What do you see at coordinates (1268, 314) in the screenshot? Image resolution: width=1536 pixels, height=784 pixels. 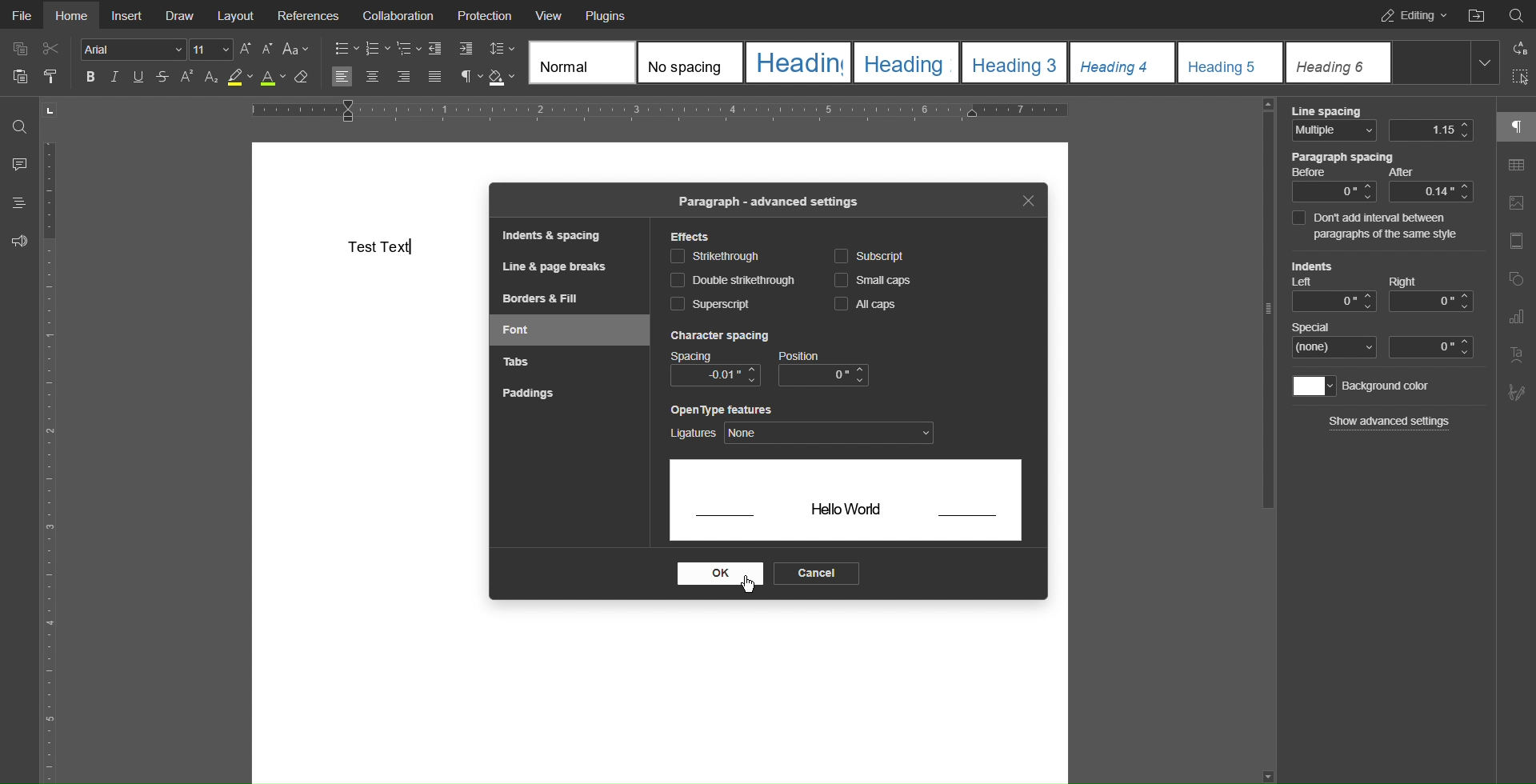 I see `slider` at bounding box center [1268, 314].